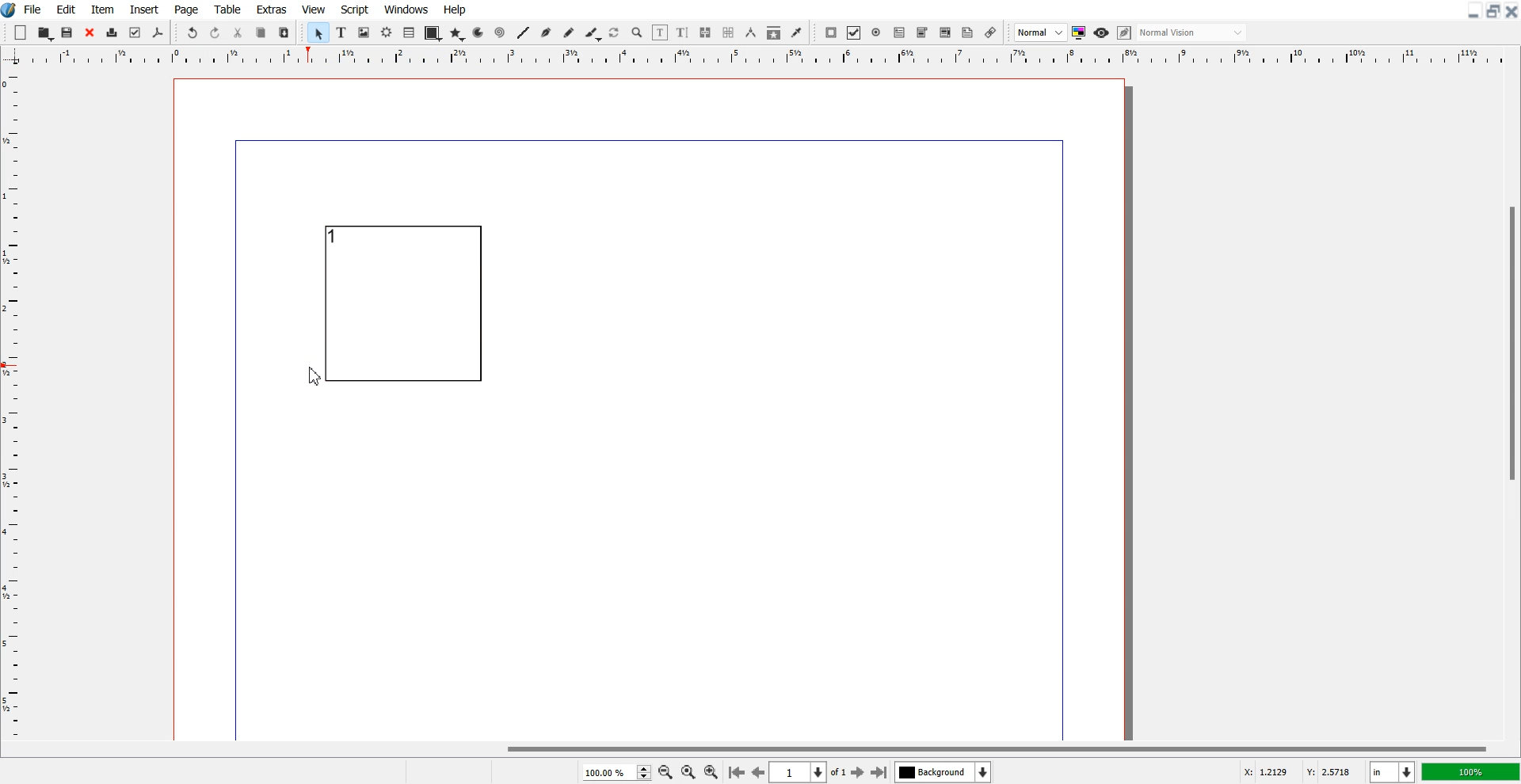 The image size is (1521, 784). What do you see at coordinates (774, 33) in the screenshot?
I see `Copy item properties` at bounding box center [774, 33].